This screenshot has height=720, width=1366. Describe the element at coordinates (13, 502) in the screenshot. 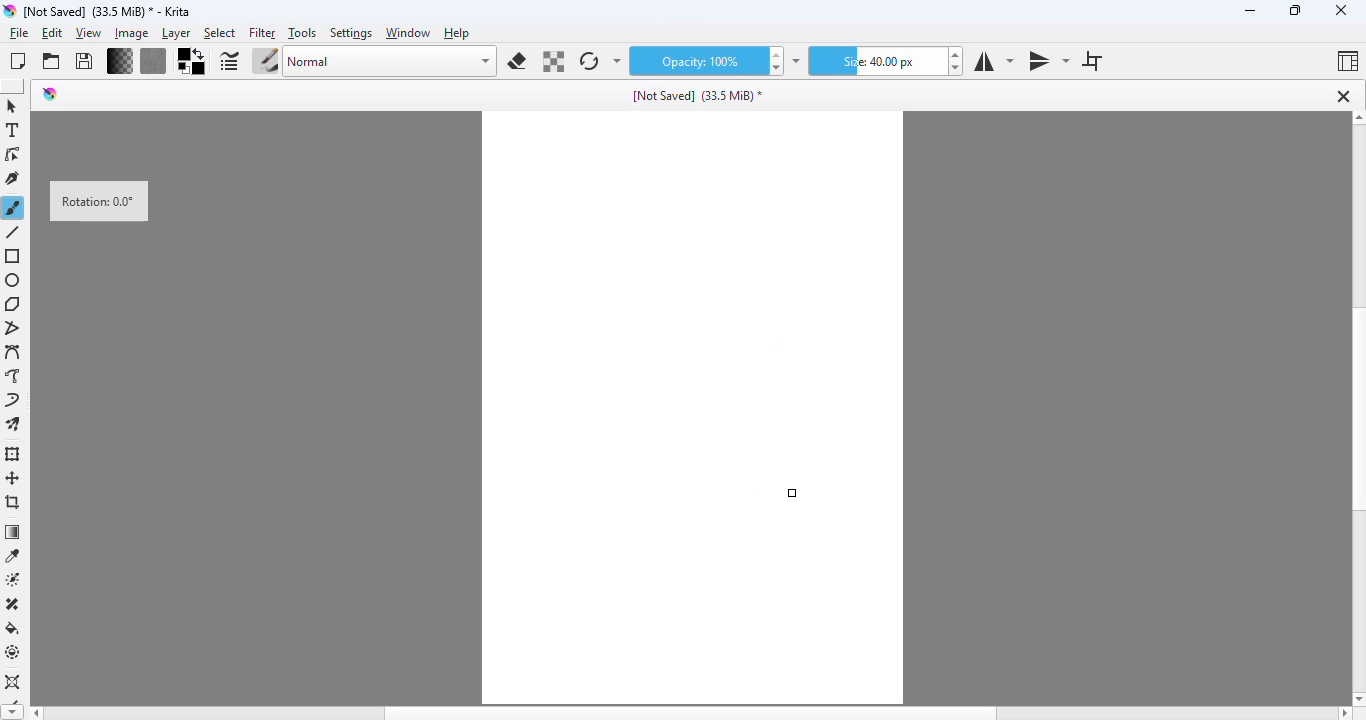

I see `crop the image to an area` at that location.